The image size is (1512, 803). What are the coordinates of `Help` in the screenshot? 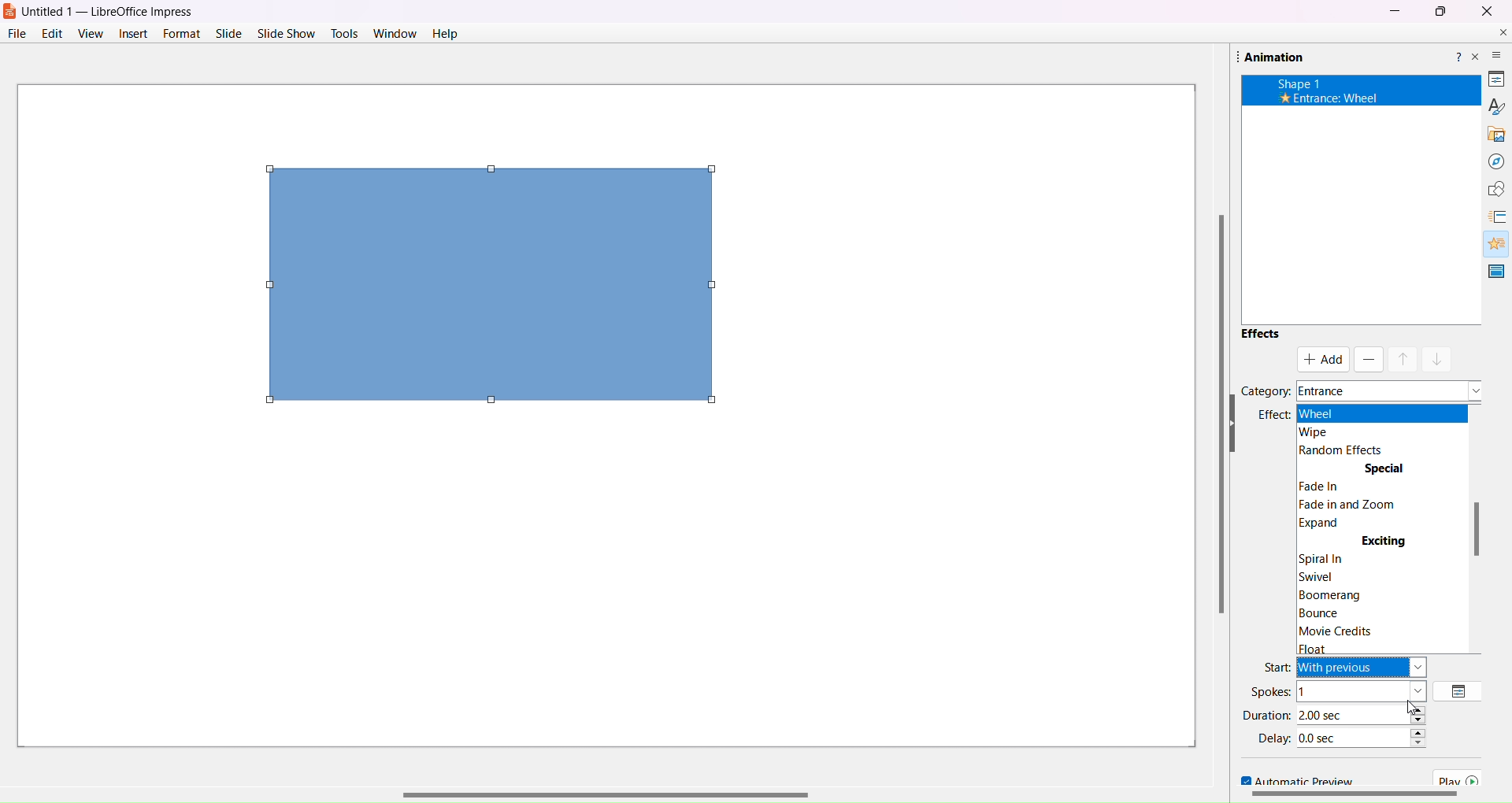 It's located at (444, 35).